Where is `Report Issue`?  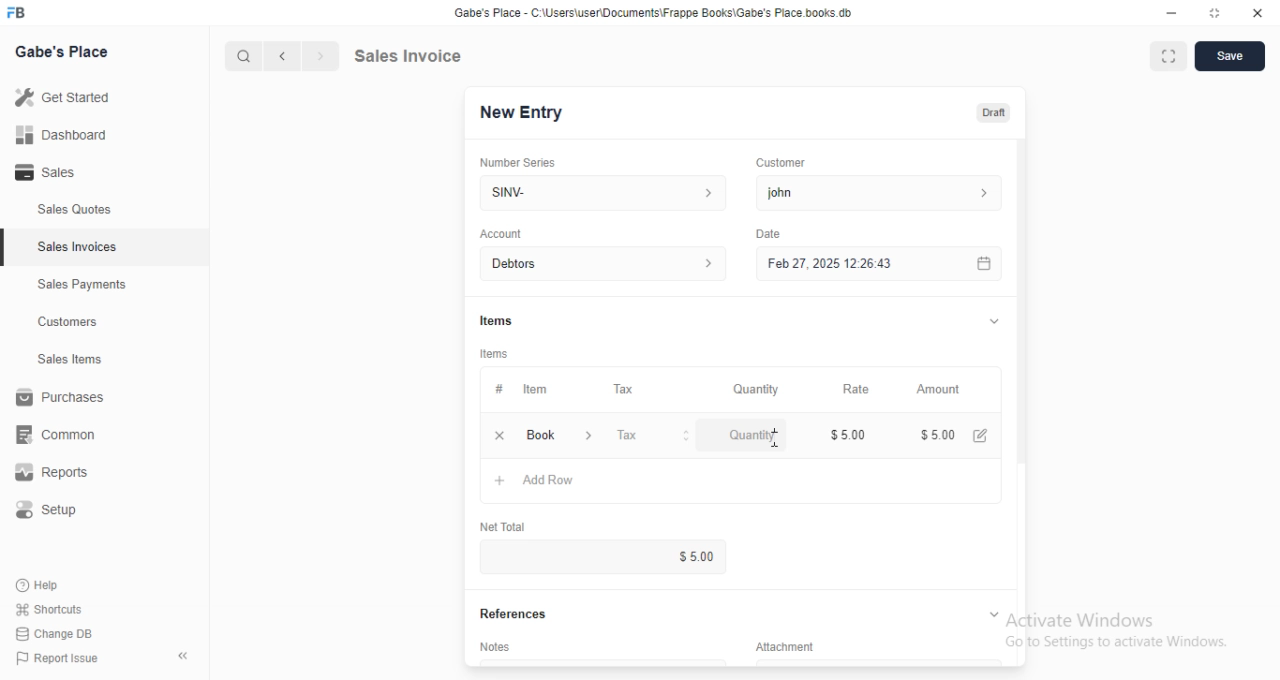 Report Issue is located at coordinates (61, 660).